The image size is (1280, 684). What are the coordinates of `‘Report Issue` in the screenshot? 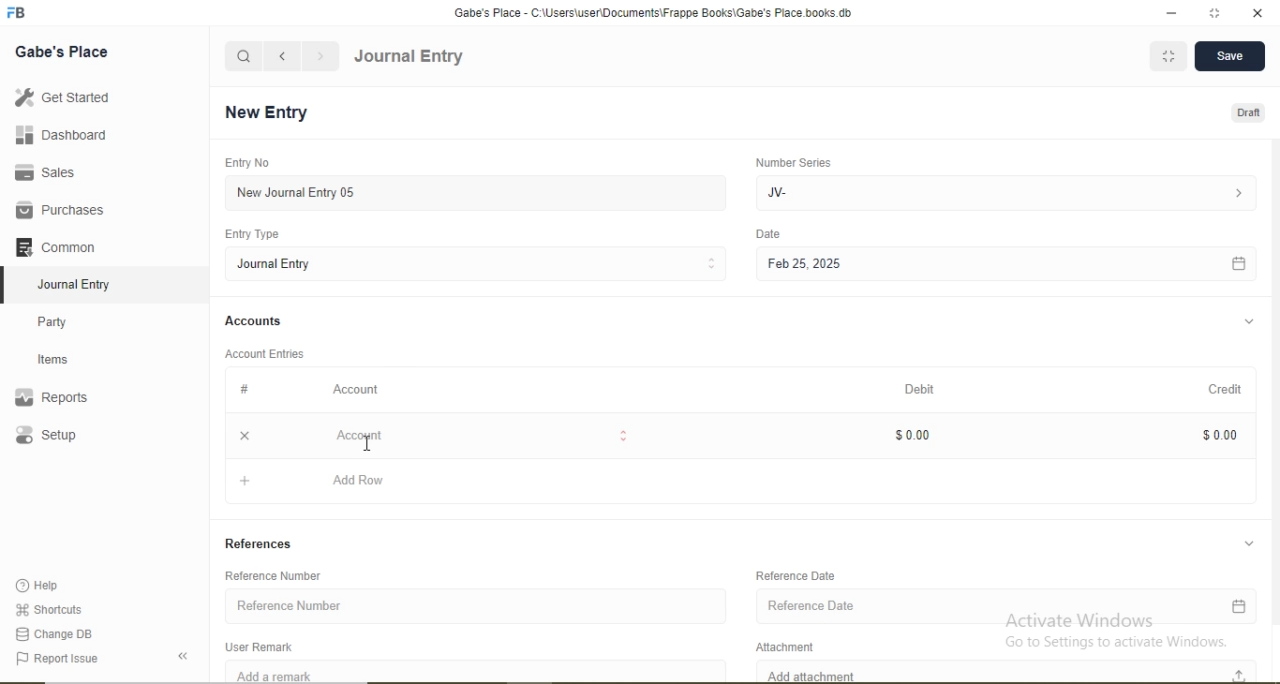 It's located at (78, 659).